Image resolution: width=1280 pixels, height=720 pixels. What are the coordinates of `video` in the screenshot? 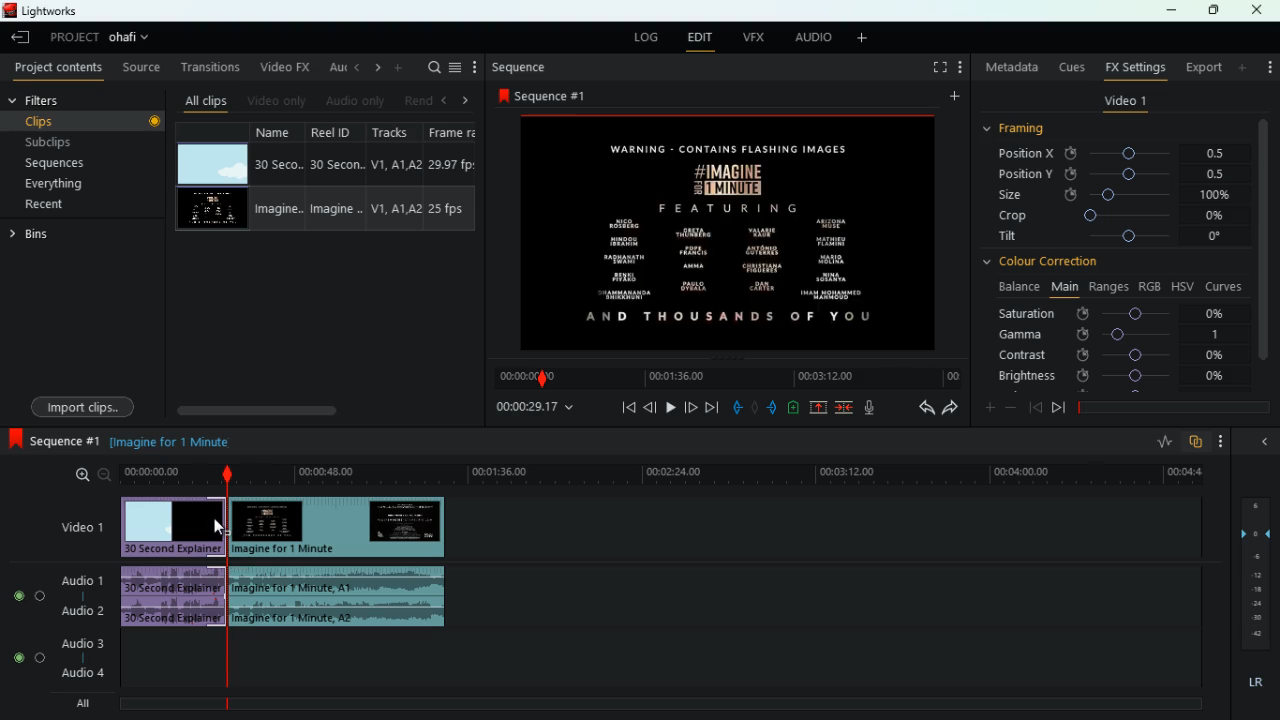 It's located at (171, 526).